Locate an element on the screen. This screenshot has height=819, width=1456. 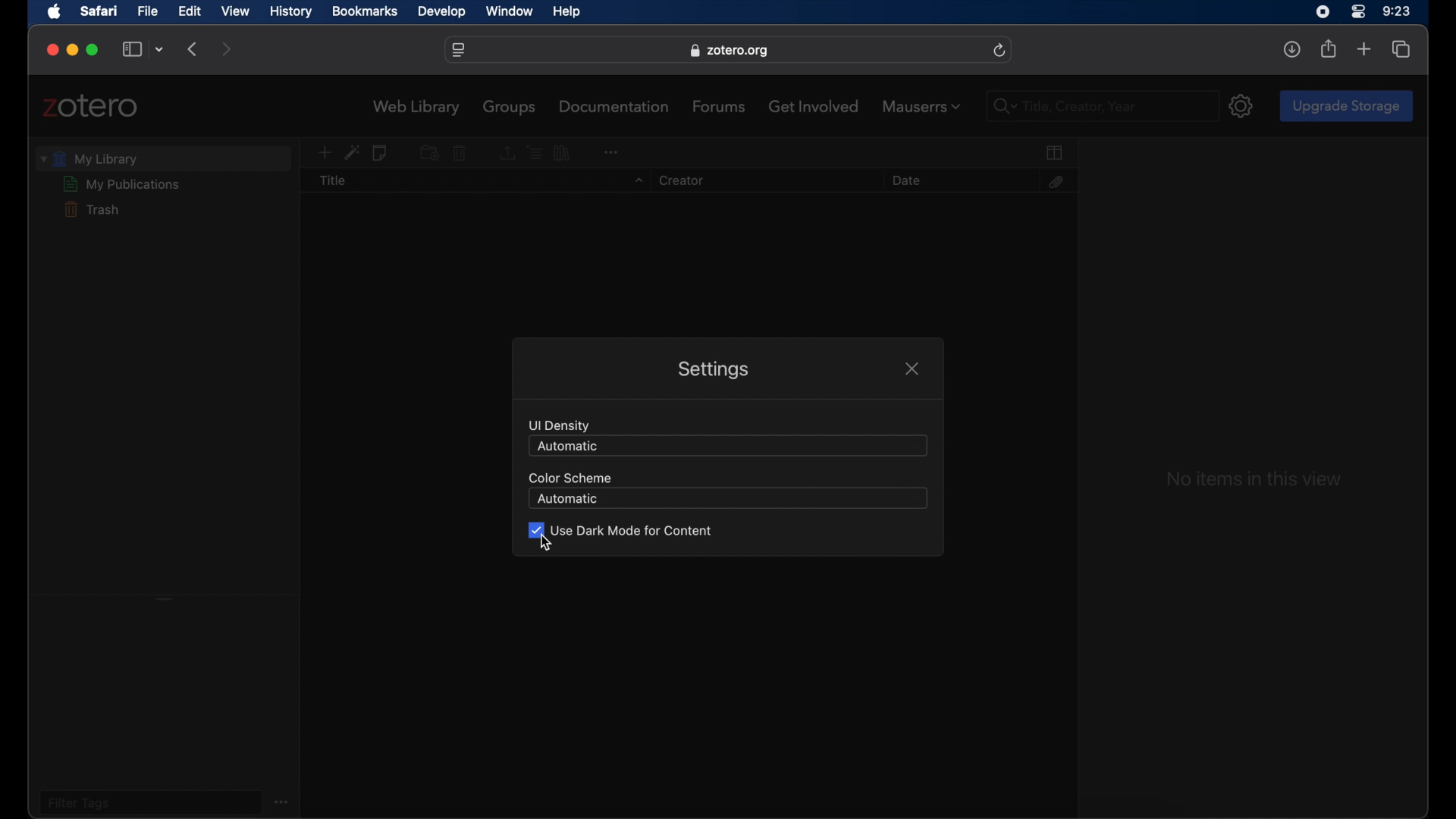
history is located at coordinates (291, 12).